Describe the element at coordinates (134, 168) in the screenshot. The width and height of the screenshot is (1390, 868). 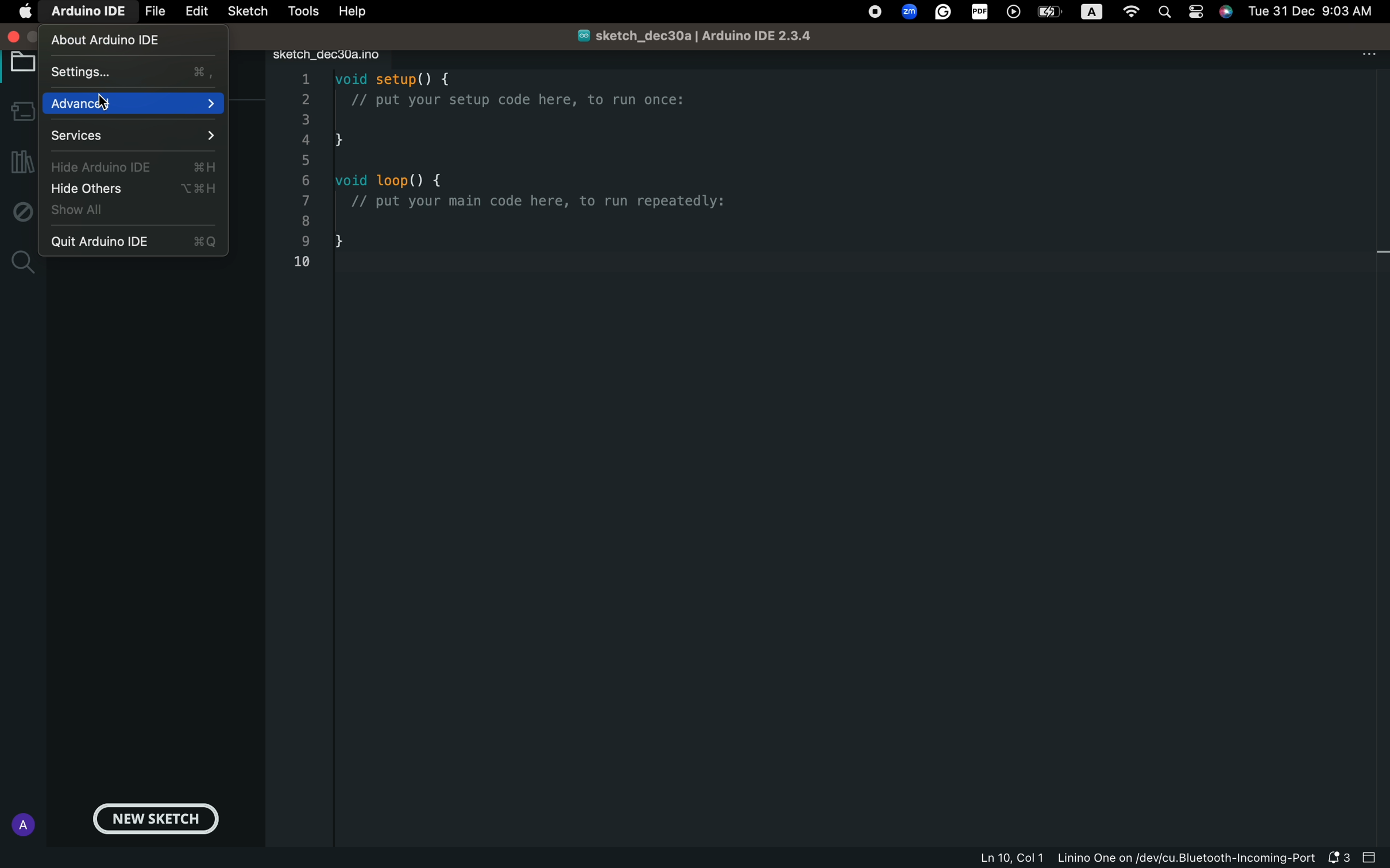
I see `Hide ` at that location.